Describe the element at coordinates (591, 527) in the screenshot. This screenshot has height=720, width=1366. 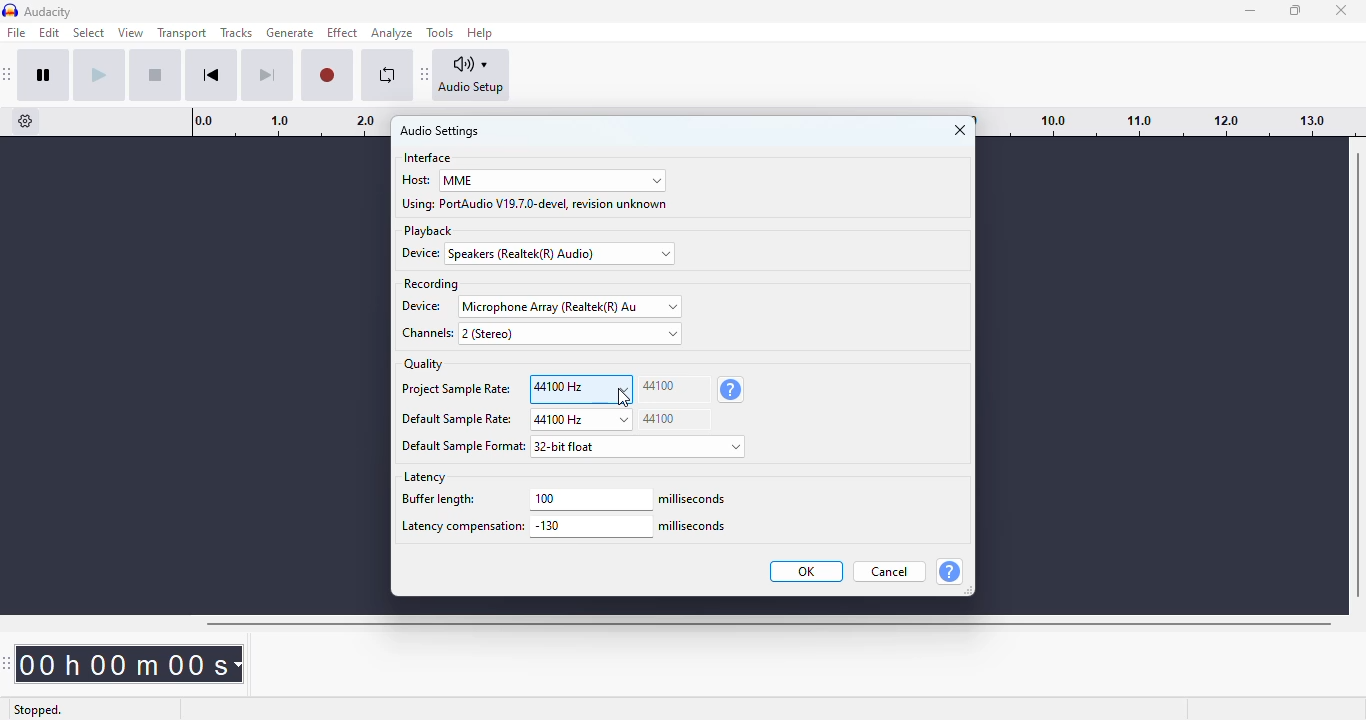
I see `edit latency compensation` at that location.